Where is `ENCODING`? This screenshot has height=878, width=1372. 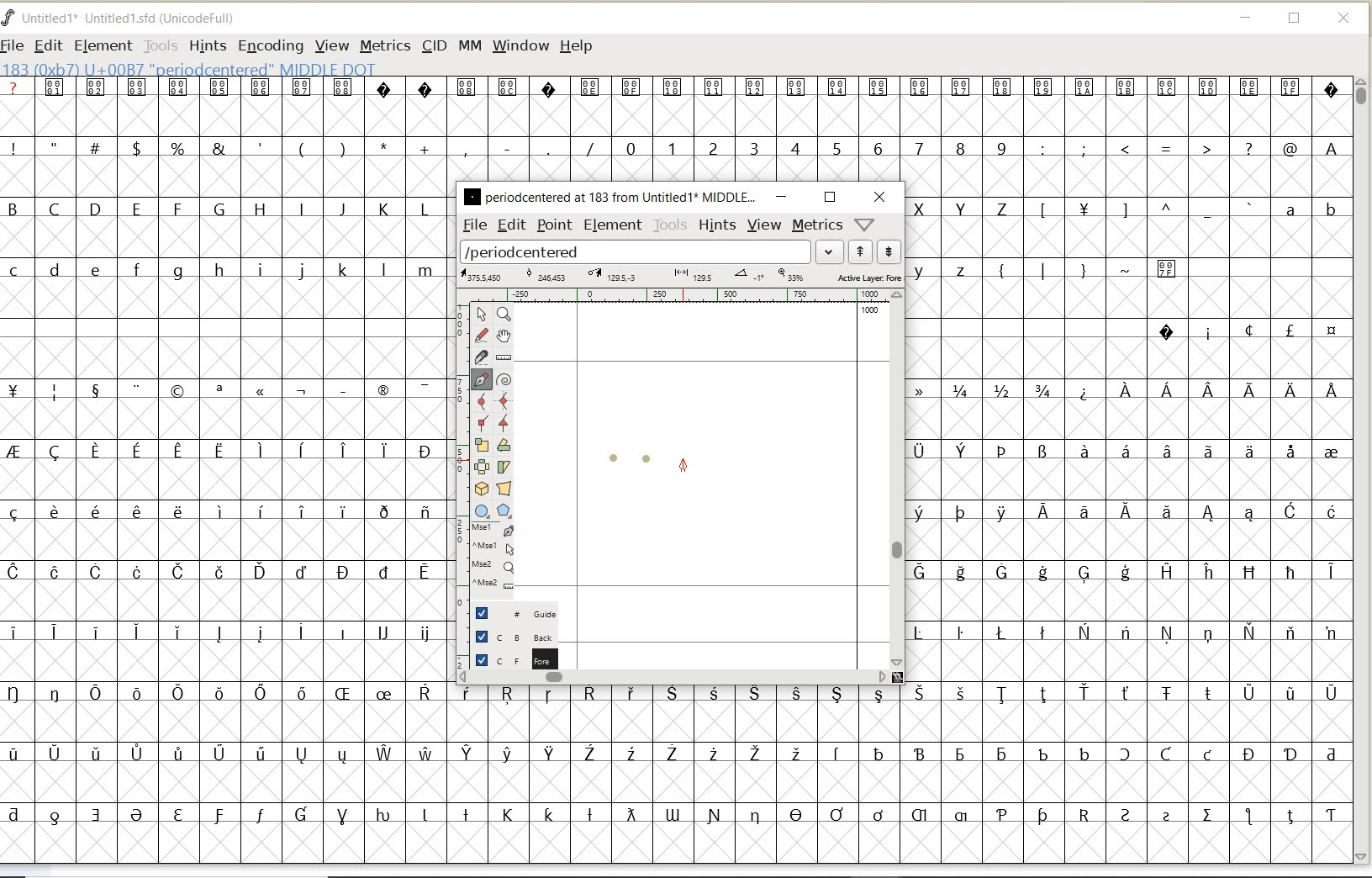 ENCODING is located at coordinates (271, 47).